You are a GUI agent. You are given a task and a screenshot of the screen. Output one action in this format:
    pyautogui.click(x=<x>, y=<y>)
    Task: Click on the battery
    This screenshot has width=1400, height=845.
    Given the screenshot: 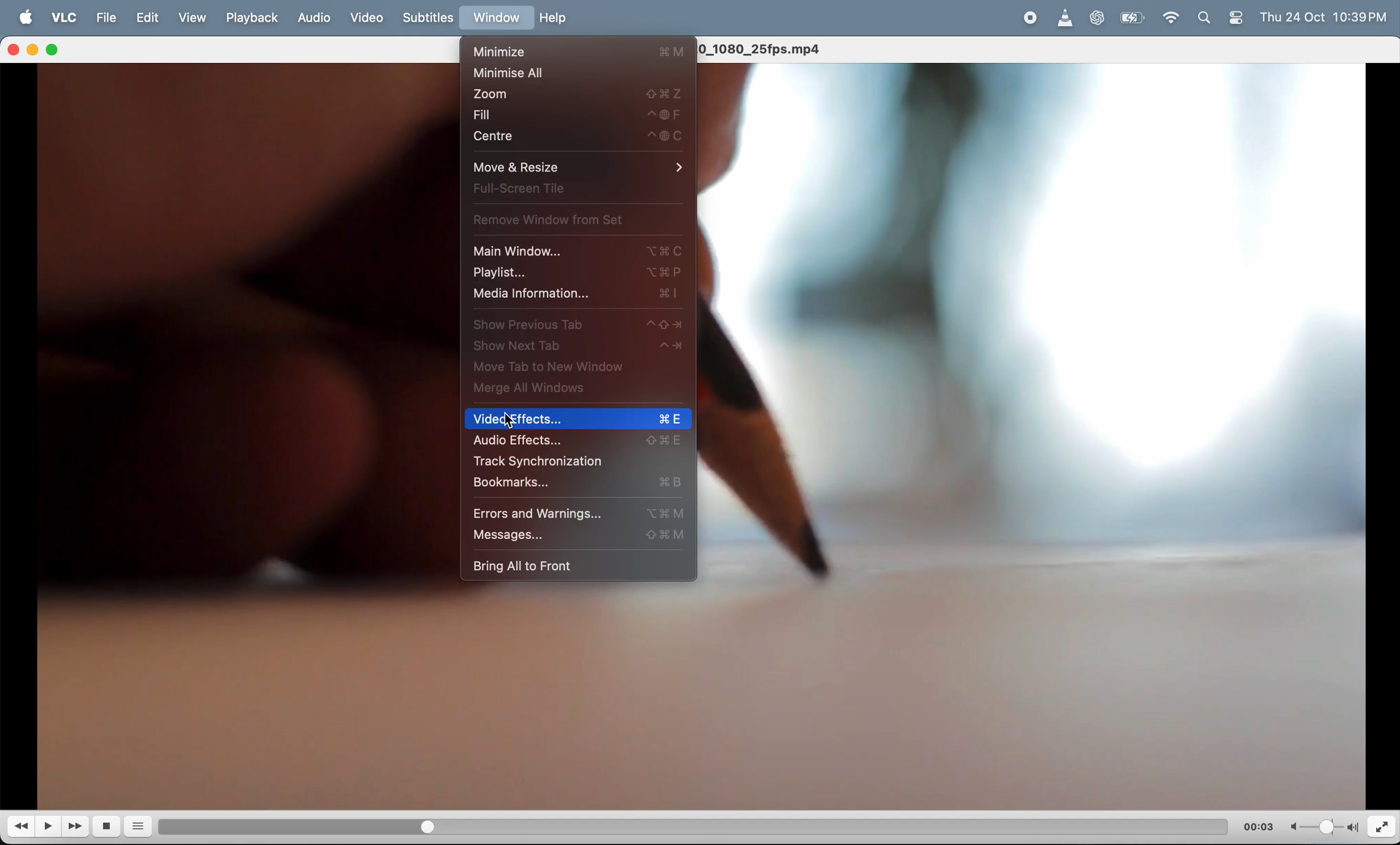 What is the action you would take?
    pyautogui.click(x=1132, y=19)
    